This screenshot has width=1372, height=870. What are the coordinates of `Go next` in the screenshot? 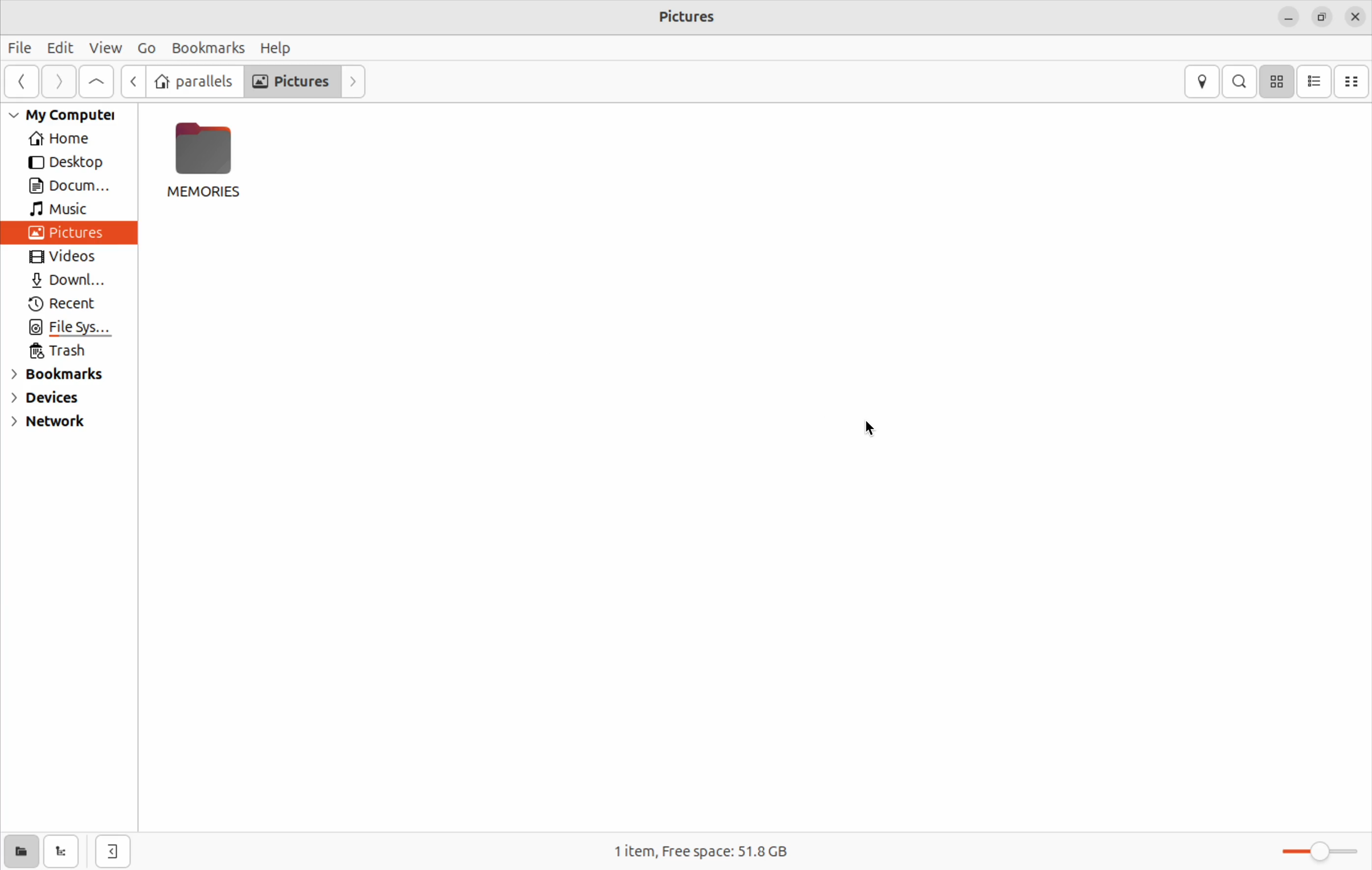 It's located at (59, 82).